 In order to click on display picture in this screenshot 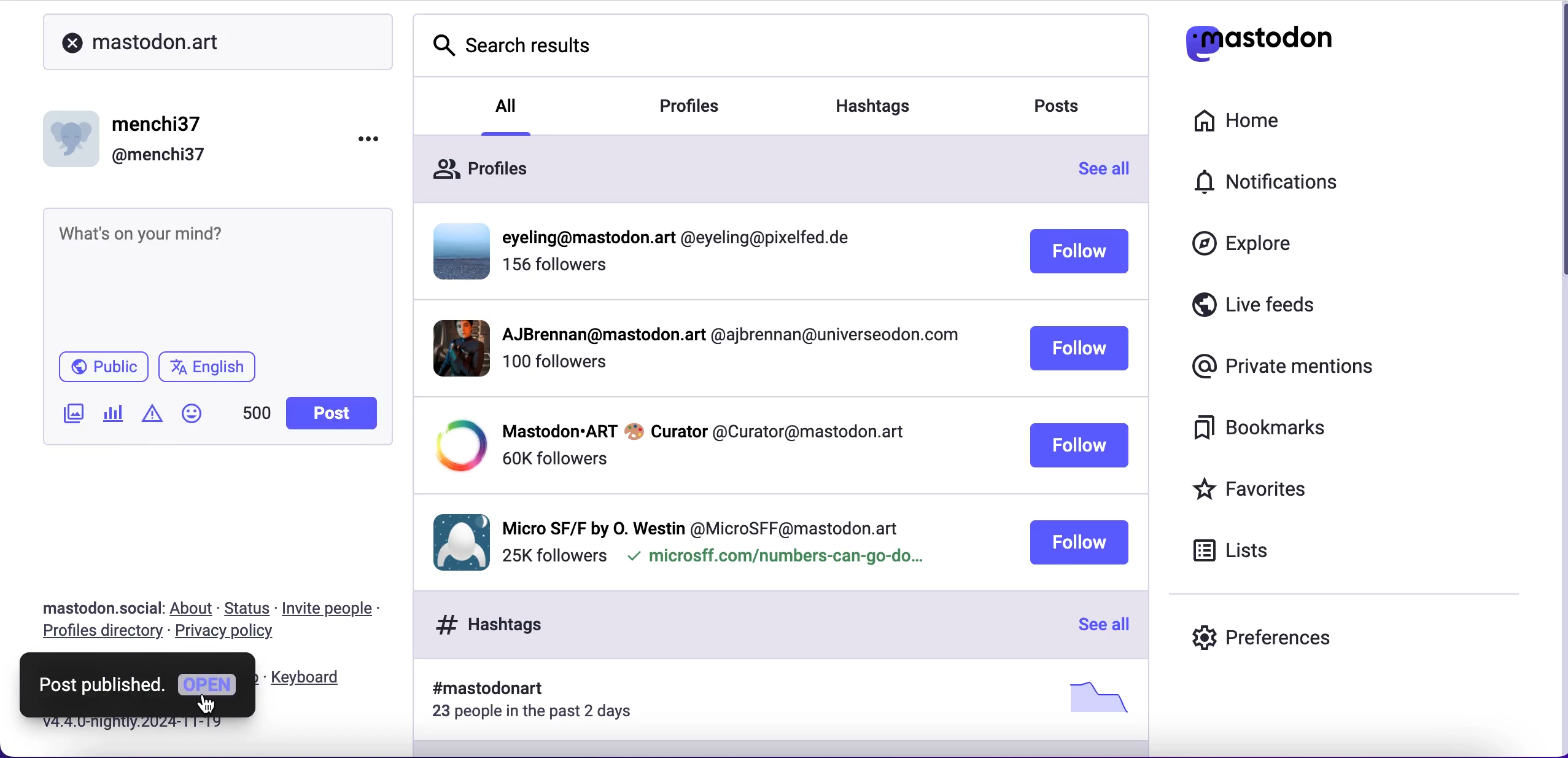, I will do `click(451, 347)`.